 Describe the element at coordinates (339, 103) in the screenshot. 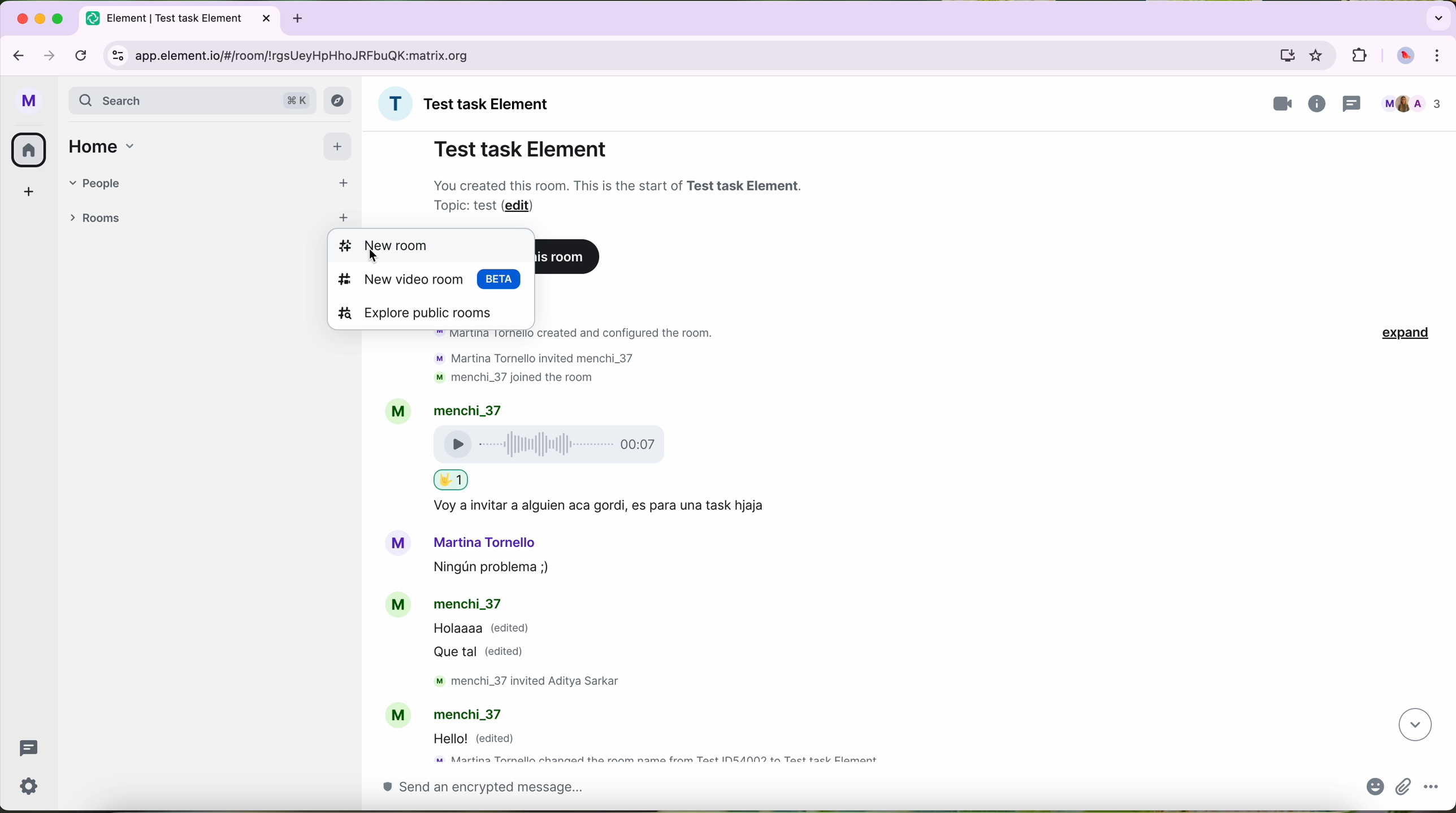

I see `explore button` at that location.